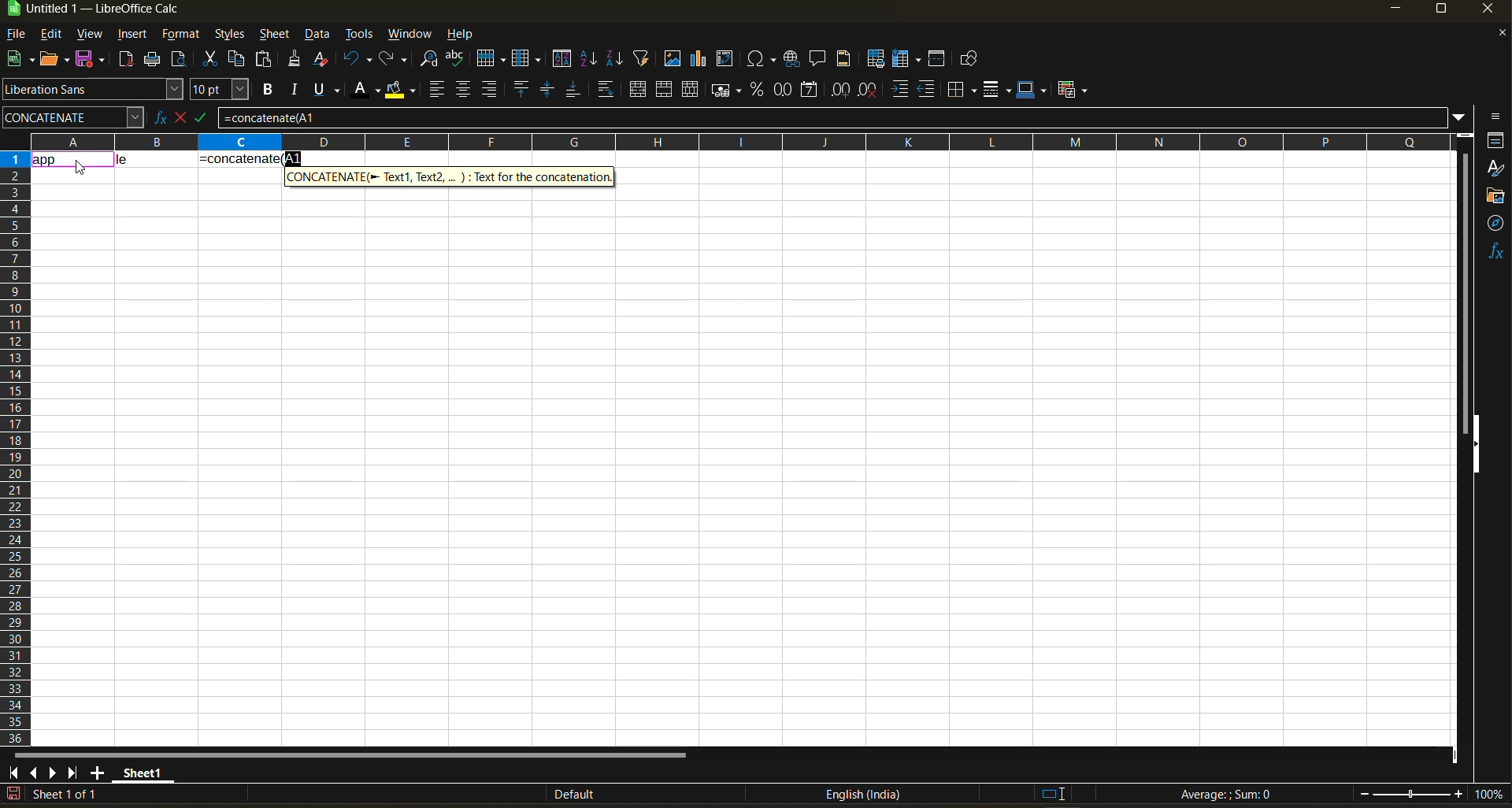 The image size is (1512, 808). Describe the element at coordinates (54, 773) in the screenshot. I see `scroll to next sheet` at that location.